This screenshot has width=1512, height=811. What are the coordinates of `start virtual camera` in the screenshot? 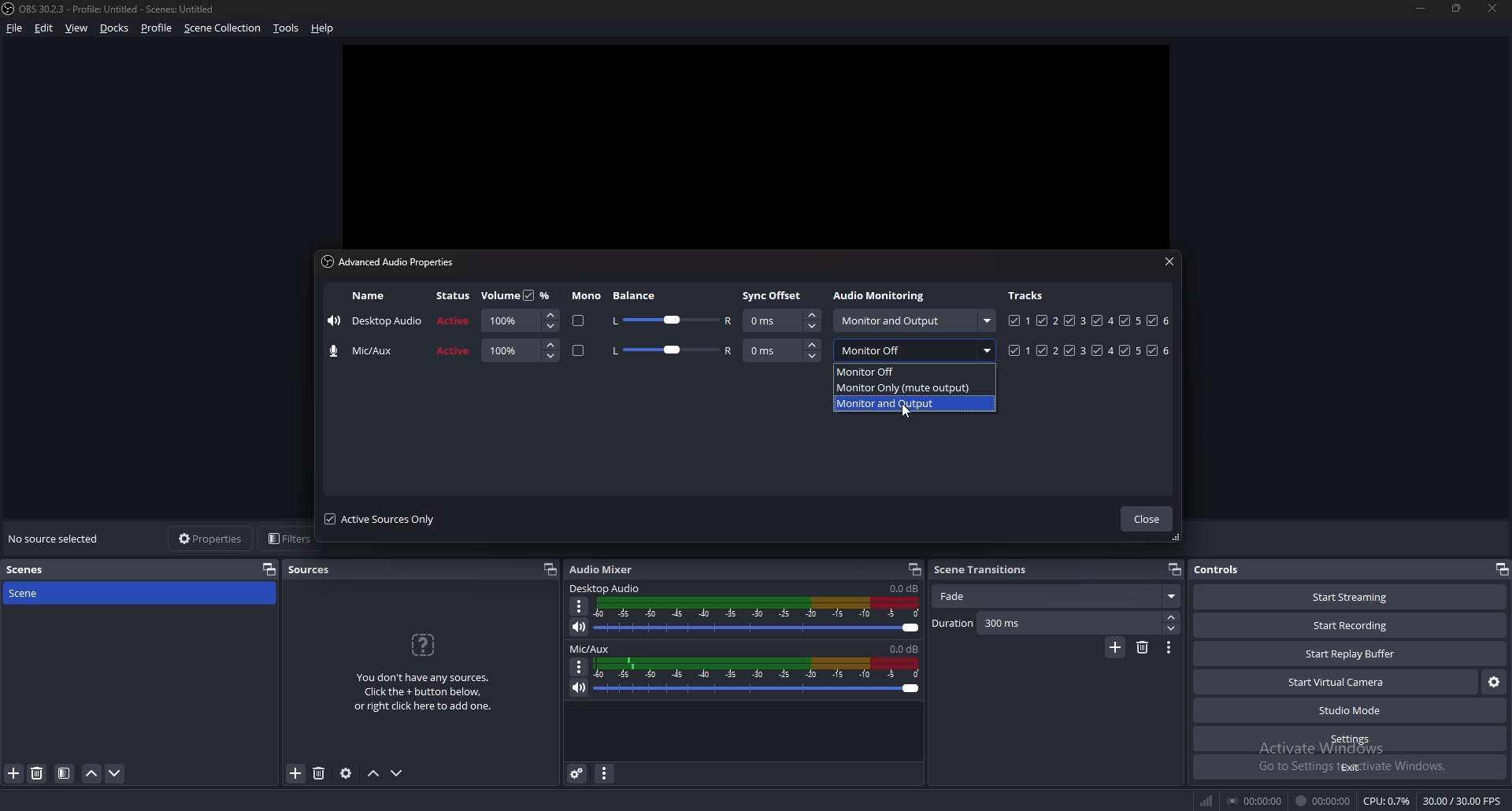 It's located at (1336, 683).